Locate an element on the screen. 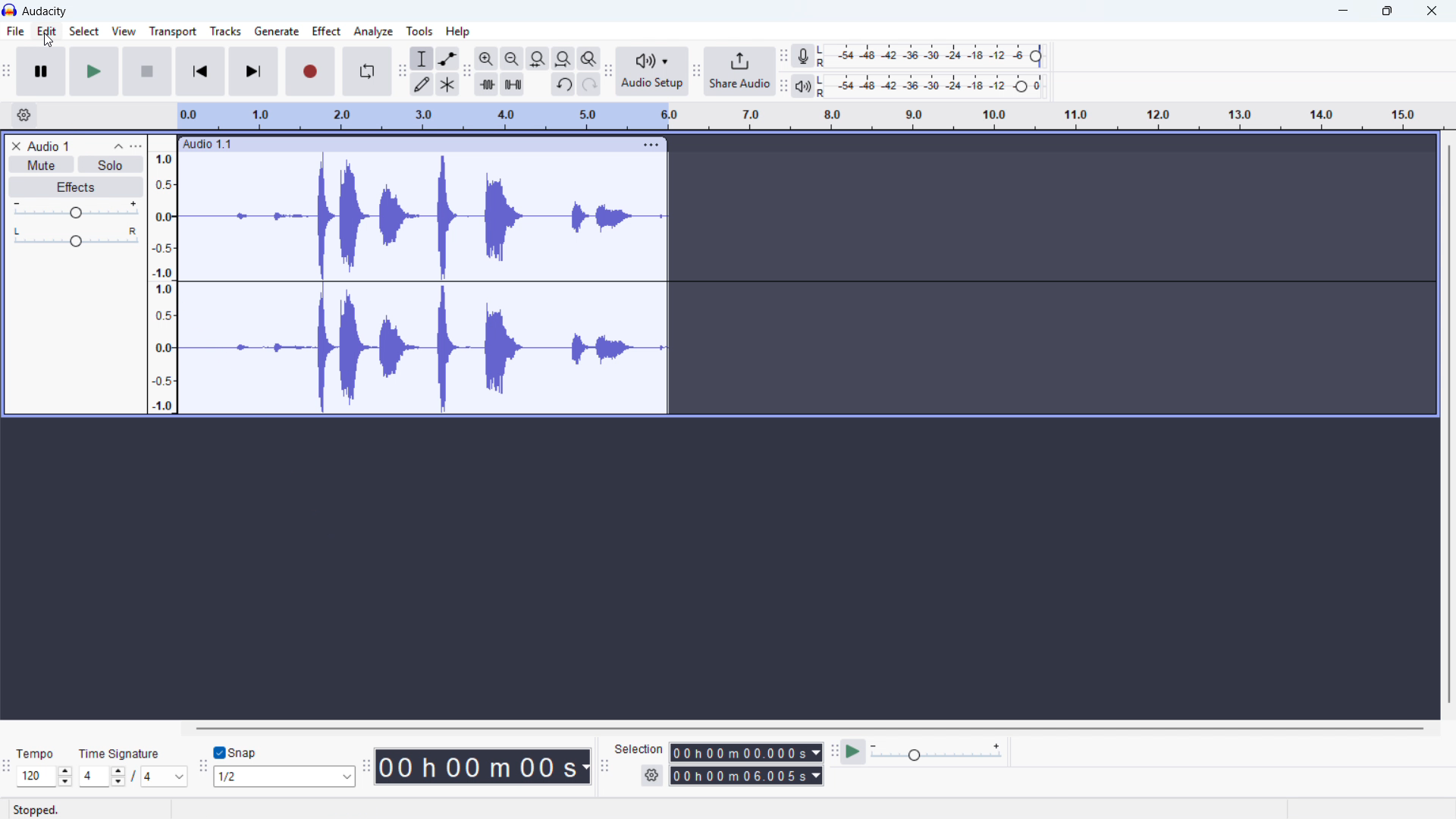 The image size is (1456, 819). toggle snap is located at coordinates (235, 753).